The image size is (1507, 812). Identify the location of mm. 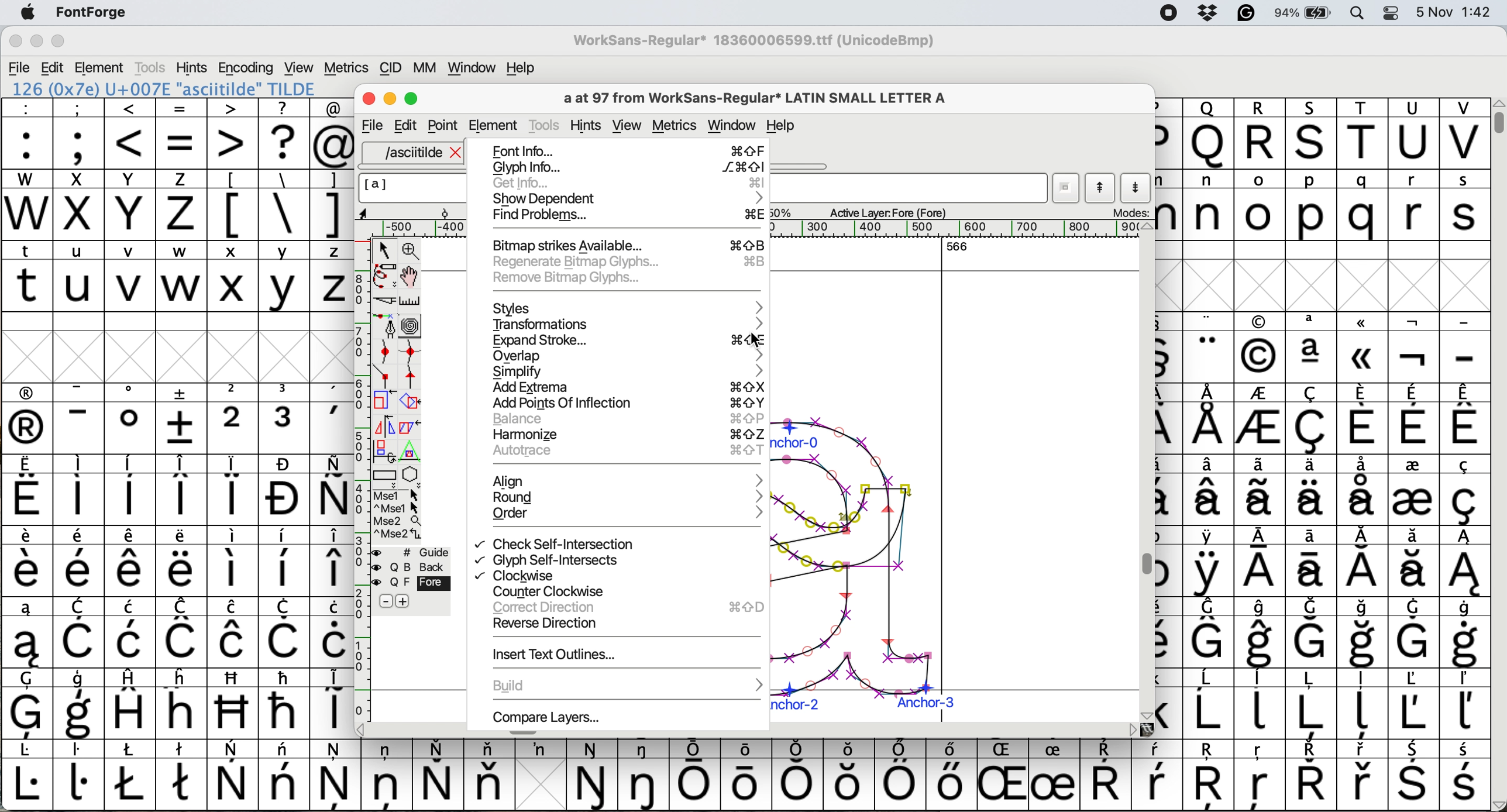
(424, 67).